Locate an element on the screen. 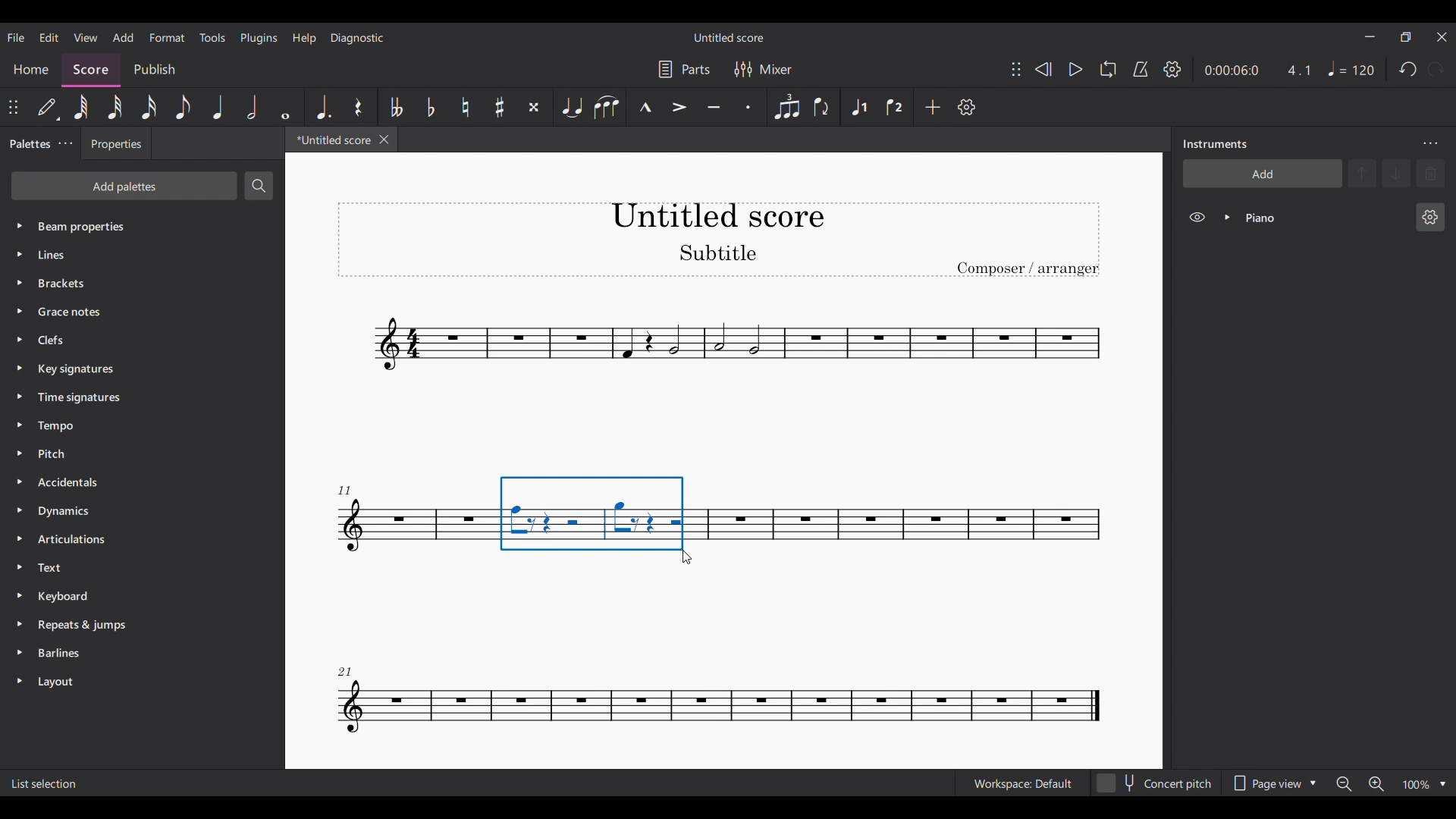  Selection made by cursor is located at coordinates (592, 513).